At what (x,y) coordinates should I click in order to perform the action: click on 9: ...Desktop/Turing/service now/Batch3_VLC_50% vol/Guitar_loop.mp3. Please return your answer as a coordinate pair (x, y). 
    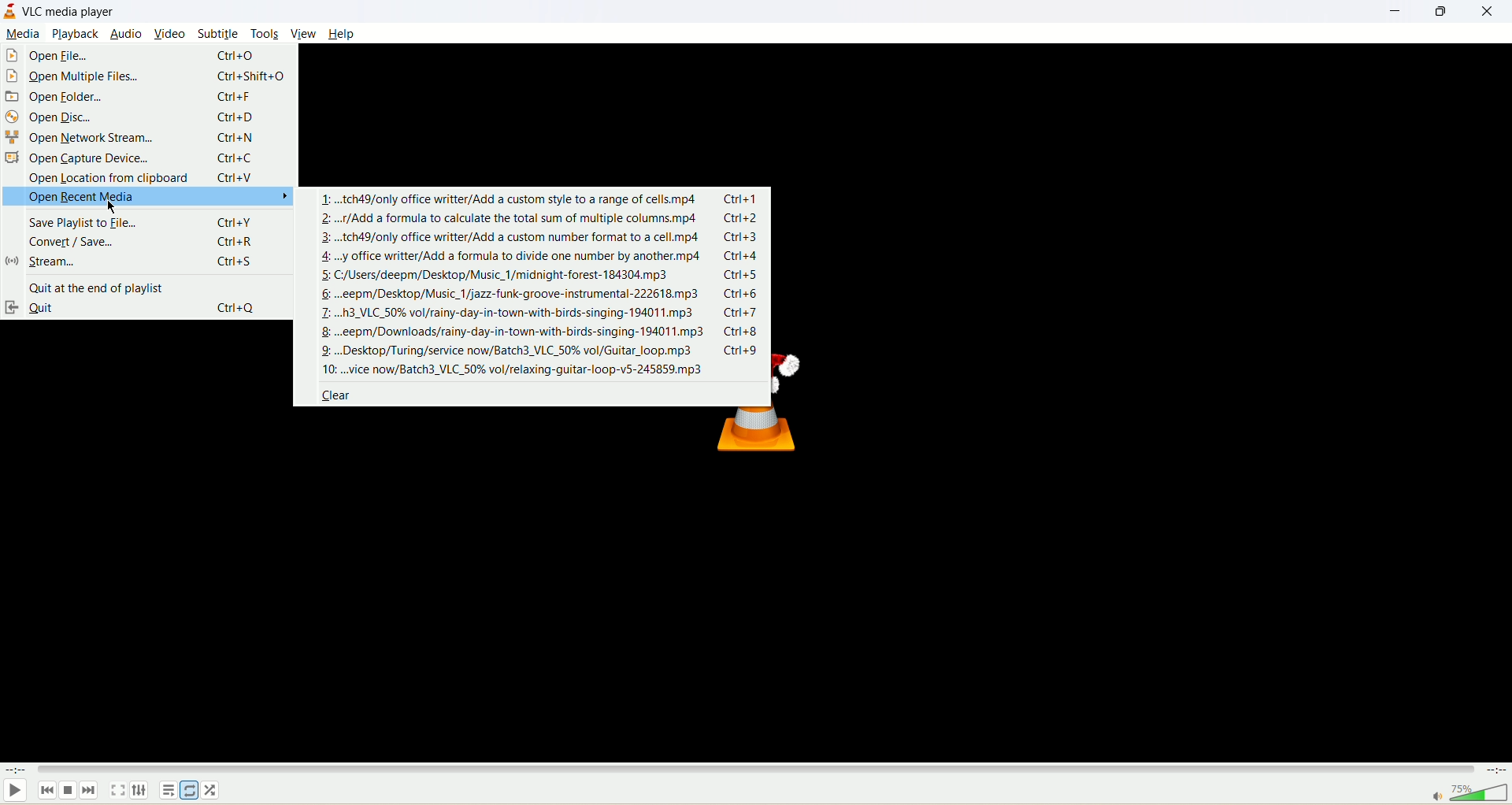
    Looking at the image, I should click on (512, 351).